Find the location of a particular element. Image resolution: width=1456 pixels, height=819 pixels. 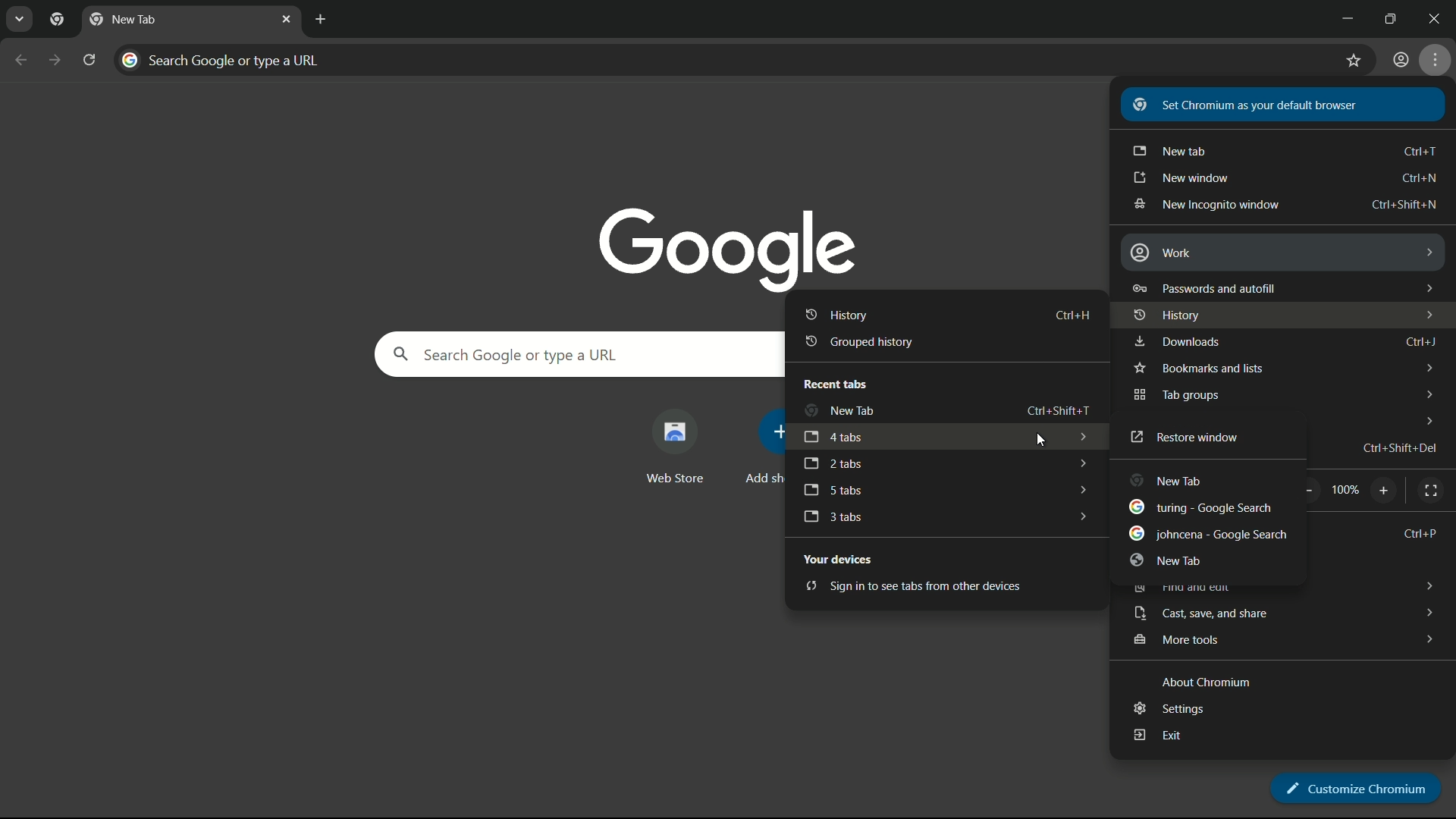

close is located at coordinates (287, 17).